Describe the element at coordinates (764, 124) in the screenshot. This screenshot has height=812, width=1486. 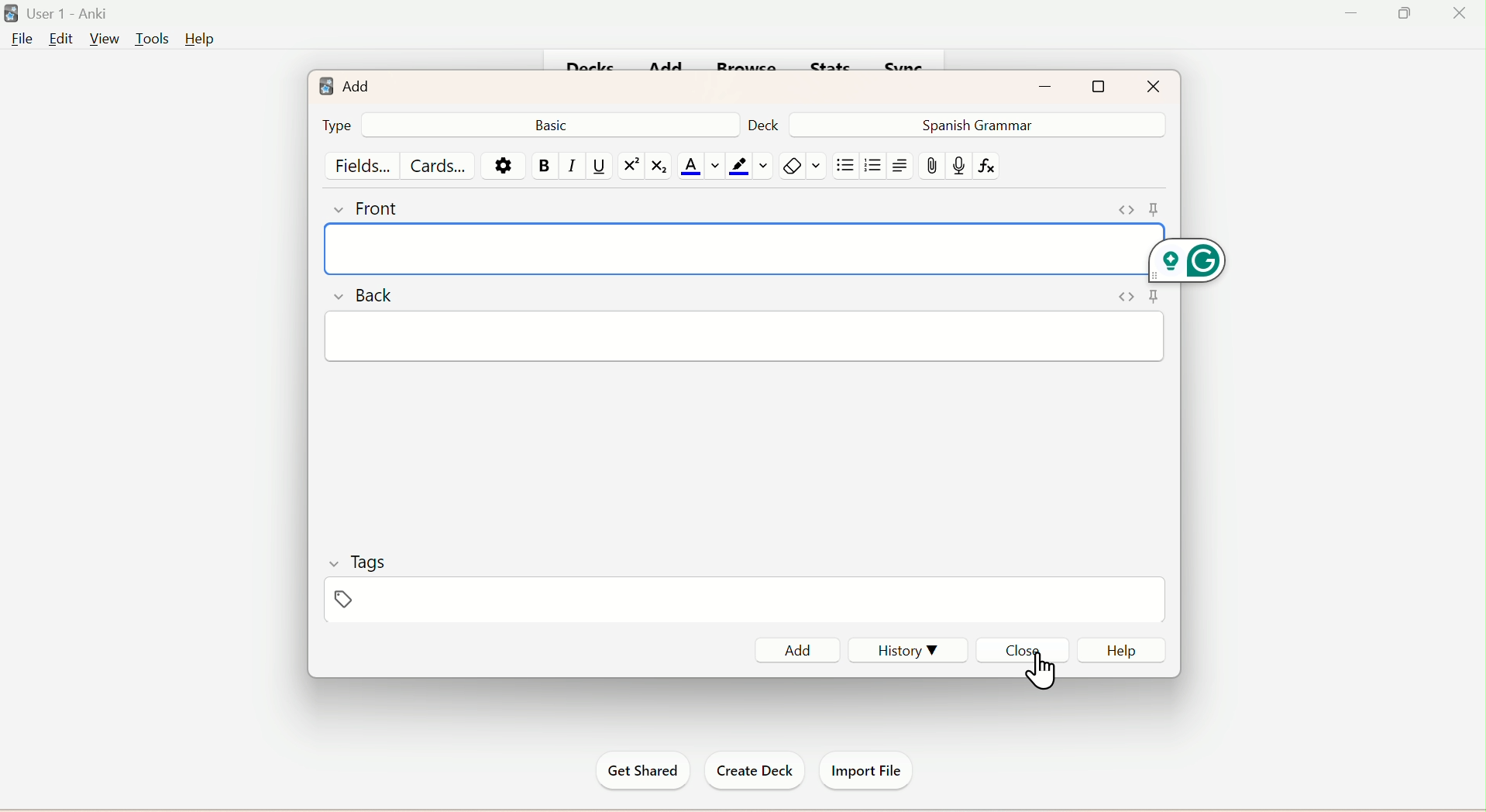
I see `Deck` at that location.